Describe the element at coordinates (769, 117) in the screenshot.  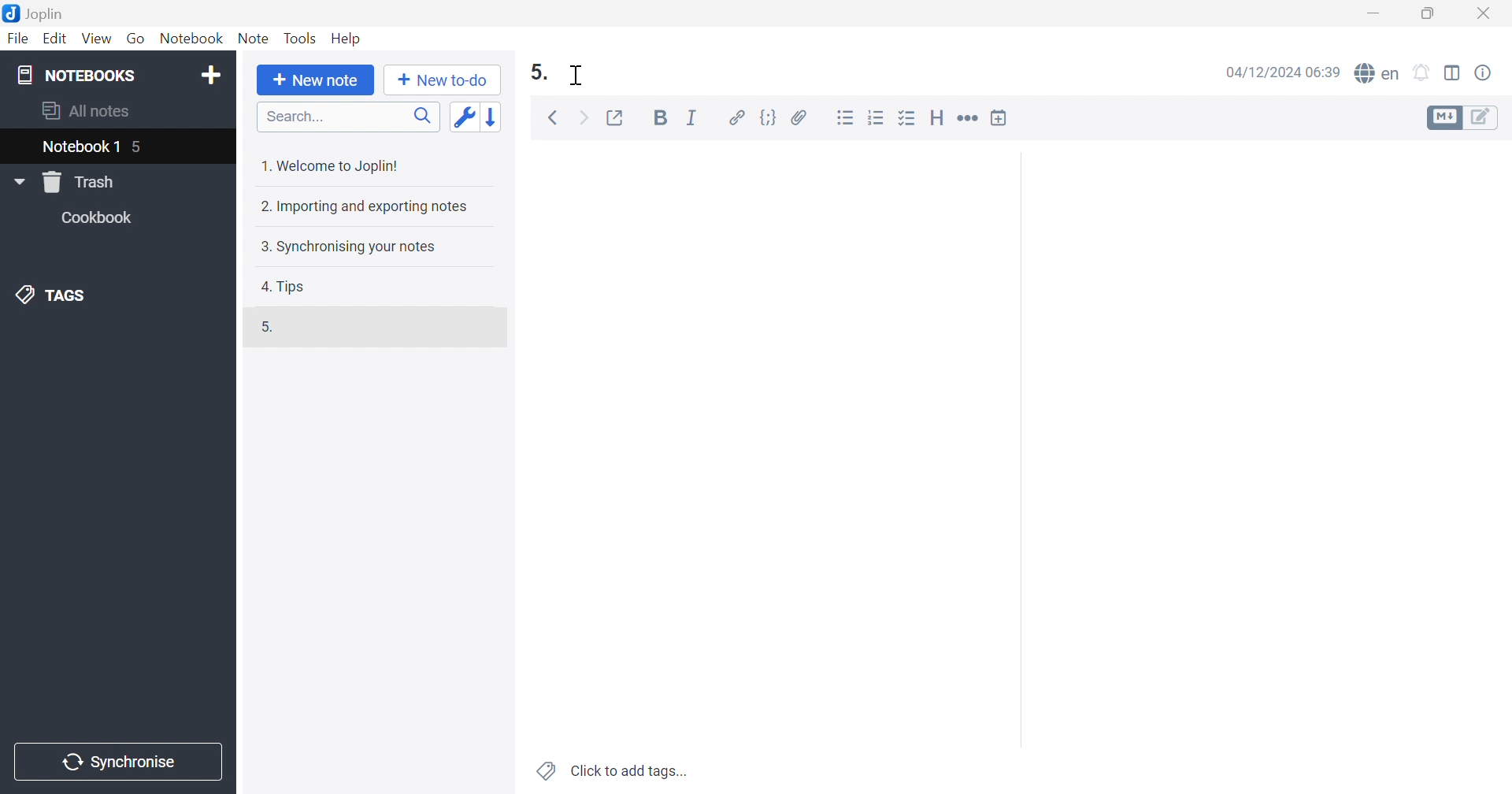
I see `Code` at that location.